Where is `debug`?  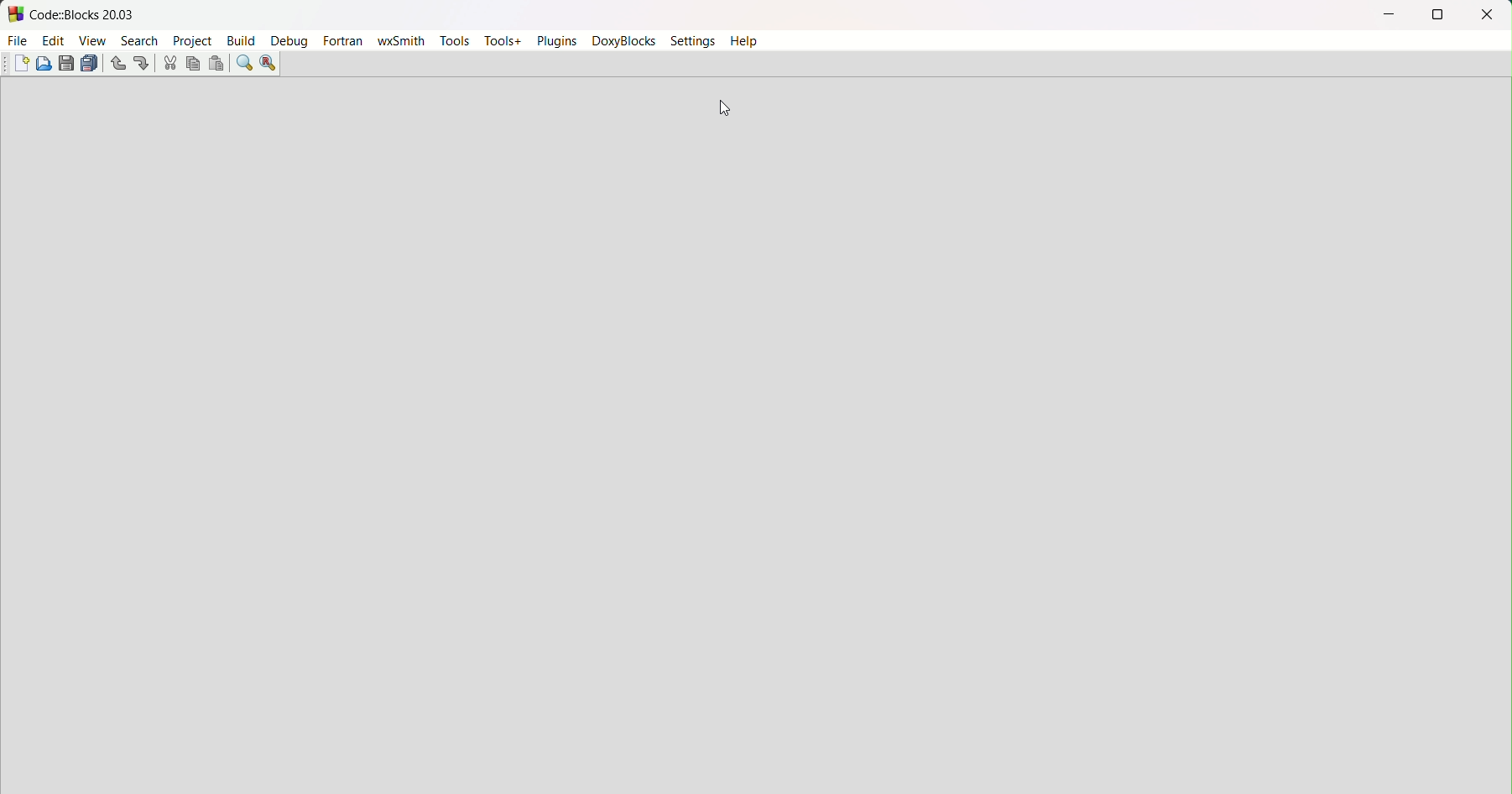 debug is located at coordinates (290, 43).